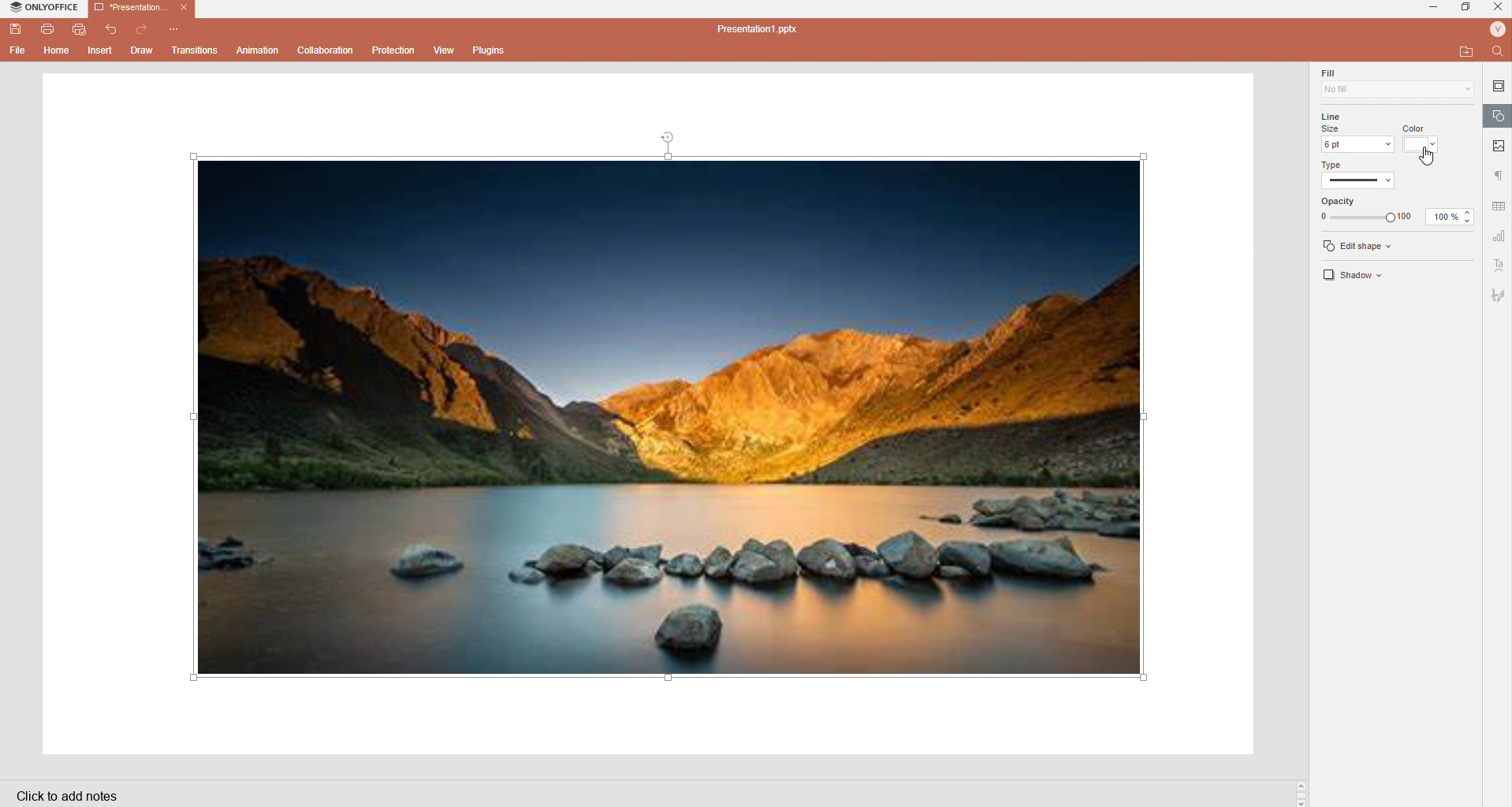  What do you see at coordinates (68, 798) in the screenshot?
I see `Click to add notes` at bounding box center [68, 798].